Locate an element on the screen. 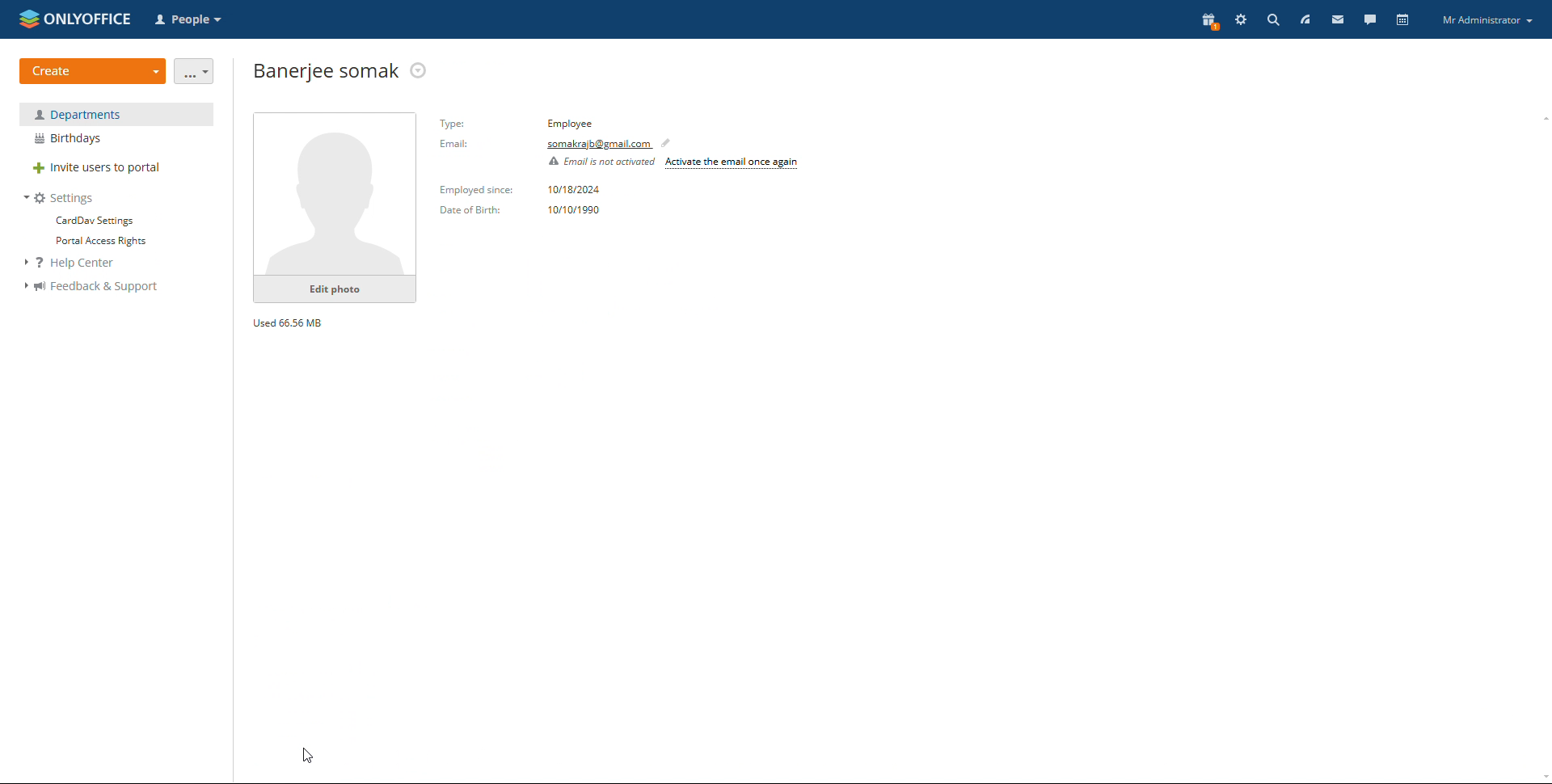  edit email is located at coordinates (669, 142).